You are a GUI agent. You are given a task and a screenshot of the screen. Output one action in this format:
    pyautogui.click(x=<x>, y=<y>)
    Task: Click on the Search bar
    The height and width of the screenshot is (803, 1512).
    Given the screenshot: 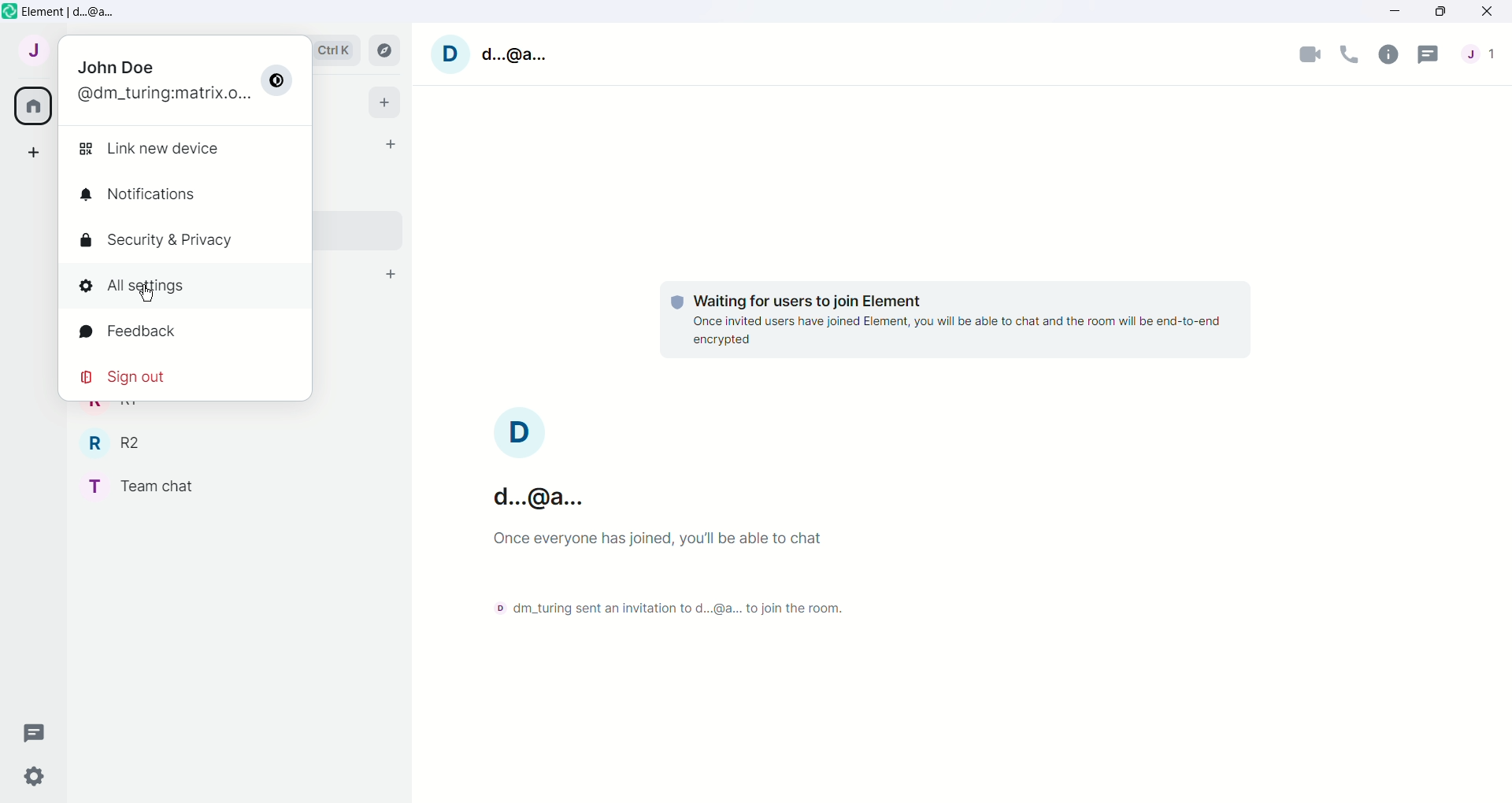 What is the action you would take?
    pyautogui.click(x=335, y=50)
    